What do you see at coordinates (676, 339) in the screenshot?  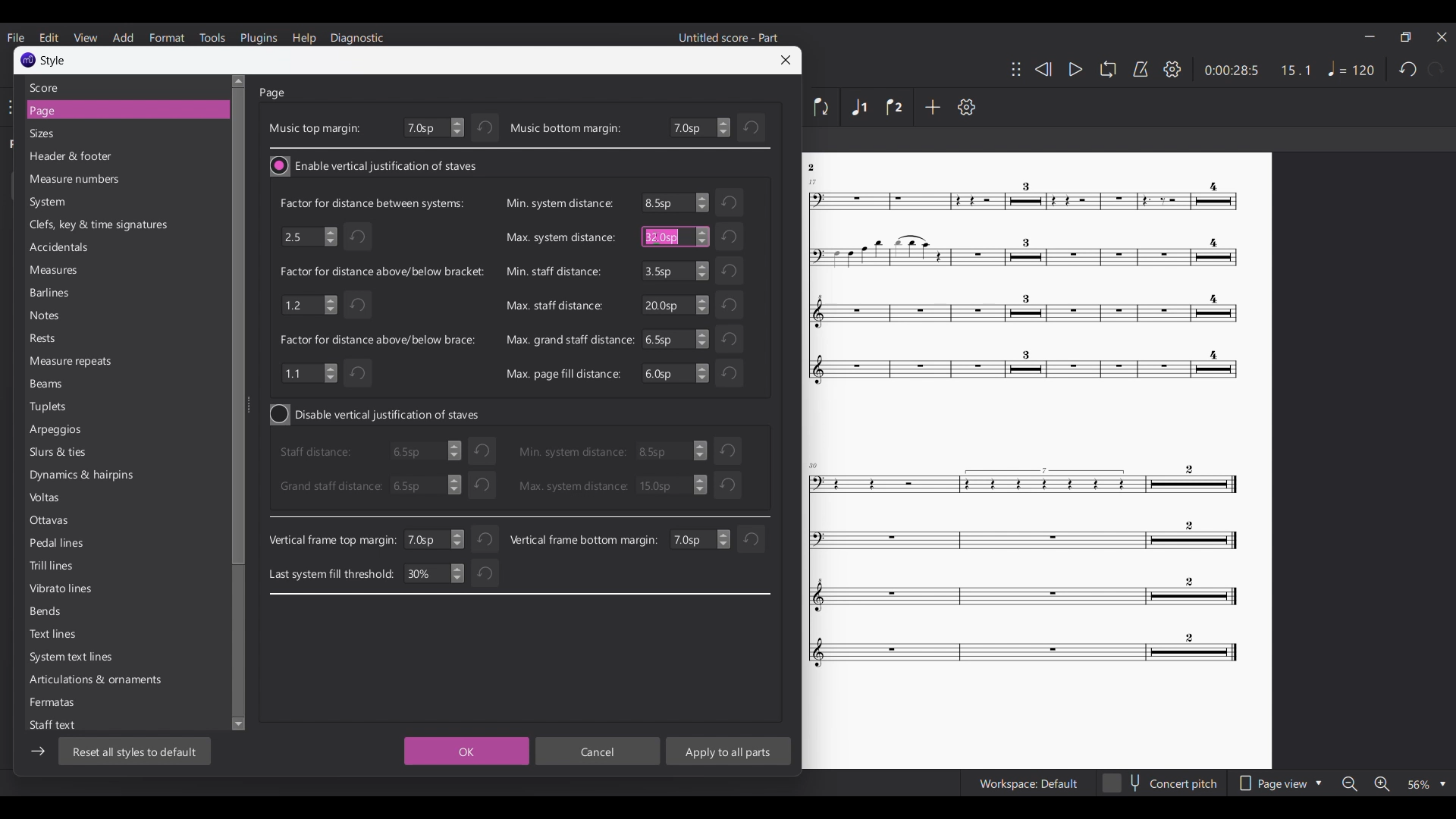 I see `6.5sp` at bounding box center [676, 339].